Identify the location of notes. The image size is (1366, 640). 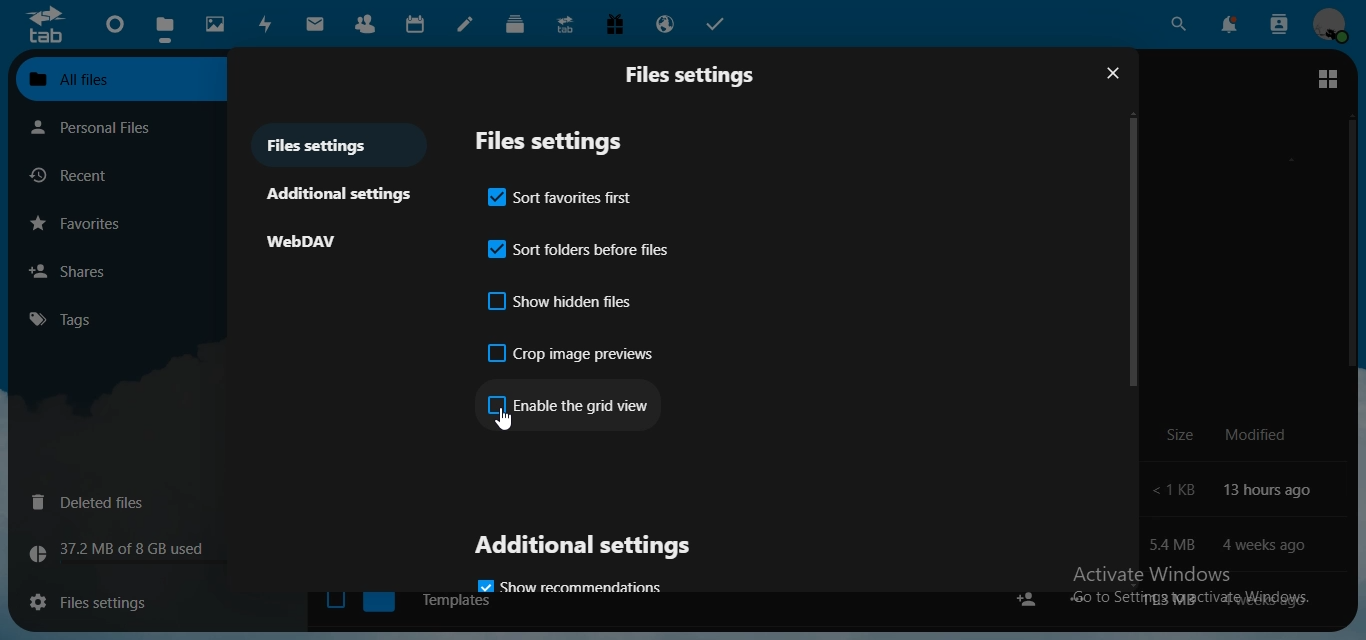
(467, 23).